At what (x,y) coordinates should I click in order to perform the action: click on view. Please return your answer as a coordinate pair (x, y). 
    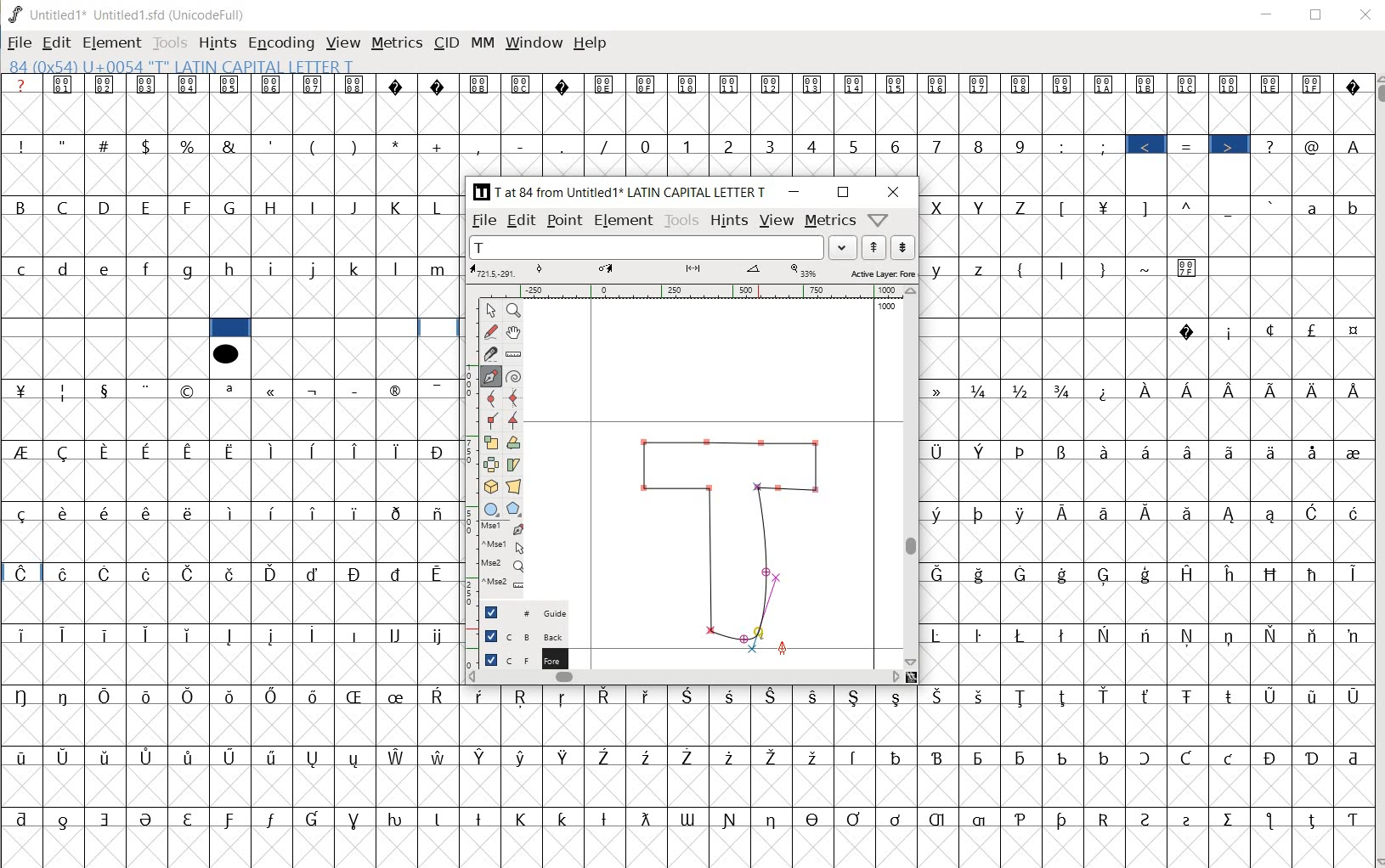
    Looking at the image, I should click on (777, 219).